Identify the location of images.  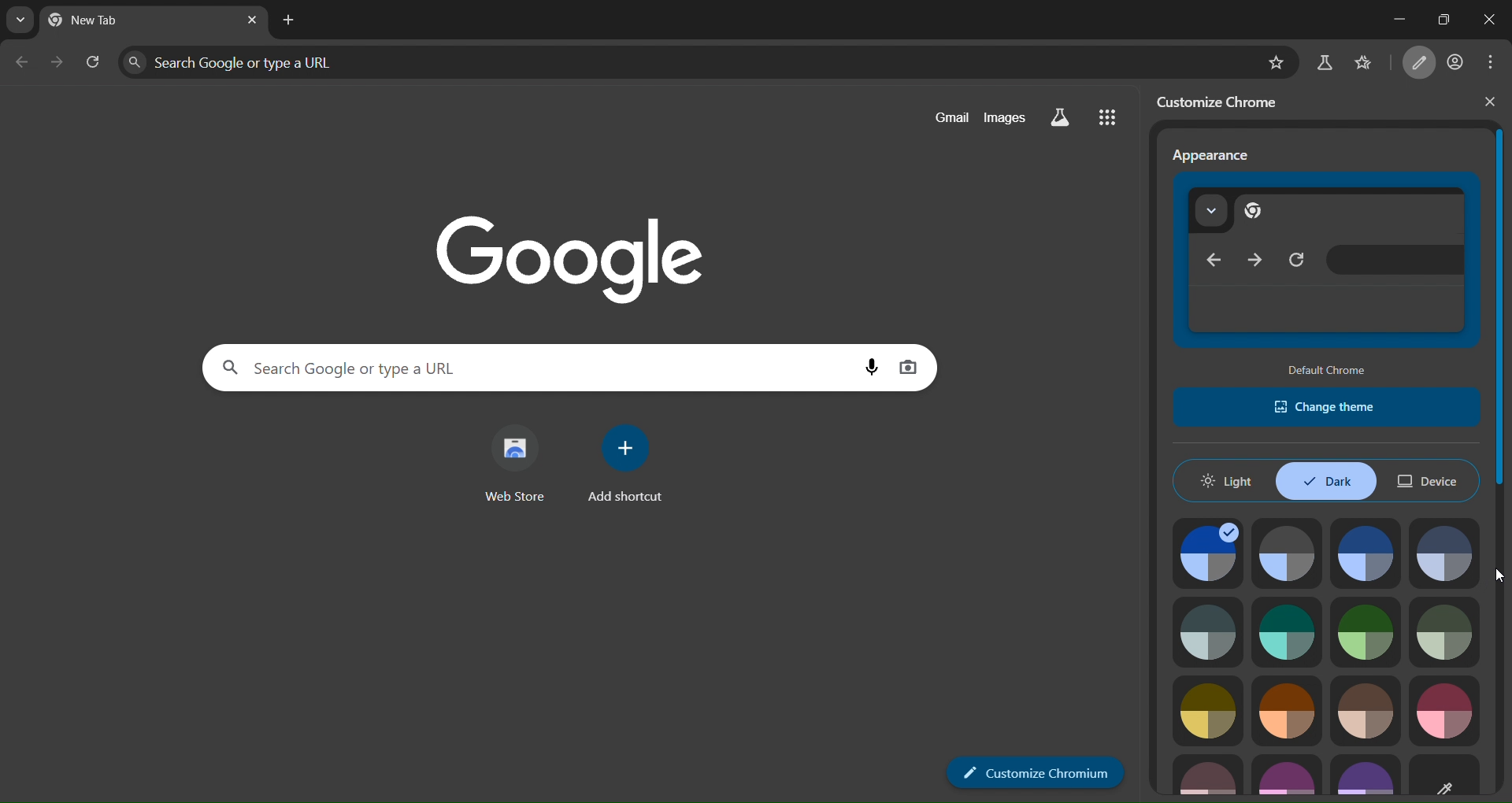
(1008, 117).